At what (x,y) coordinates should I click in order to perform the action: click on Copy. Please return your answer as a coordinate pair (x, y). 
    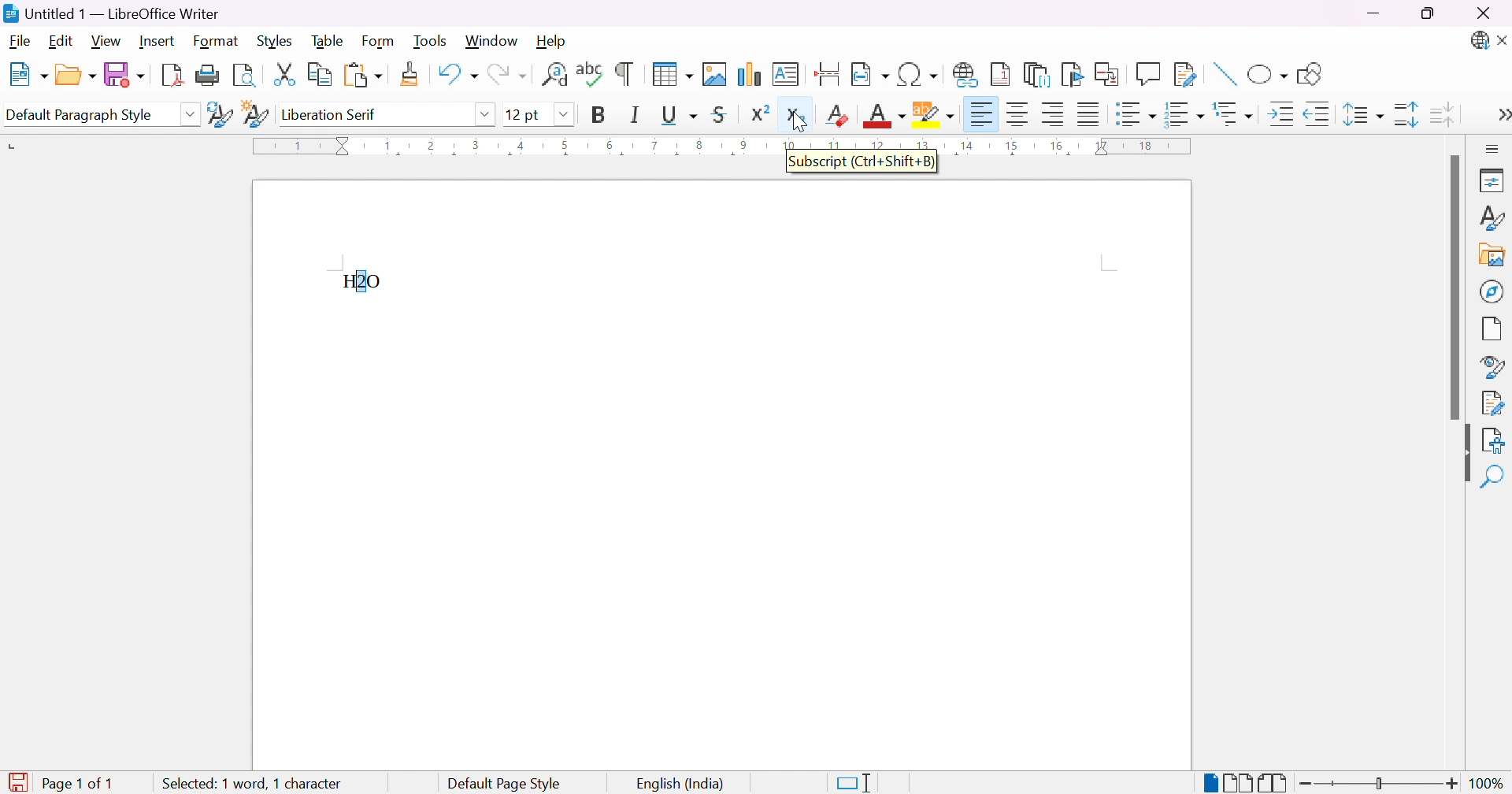
    Looking at the image, I should click on (321, 75).